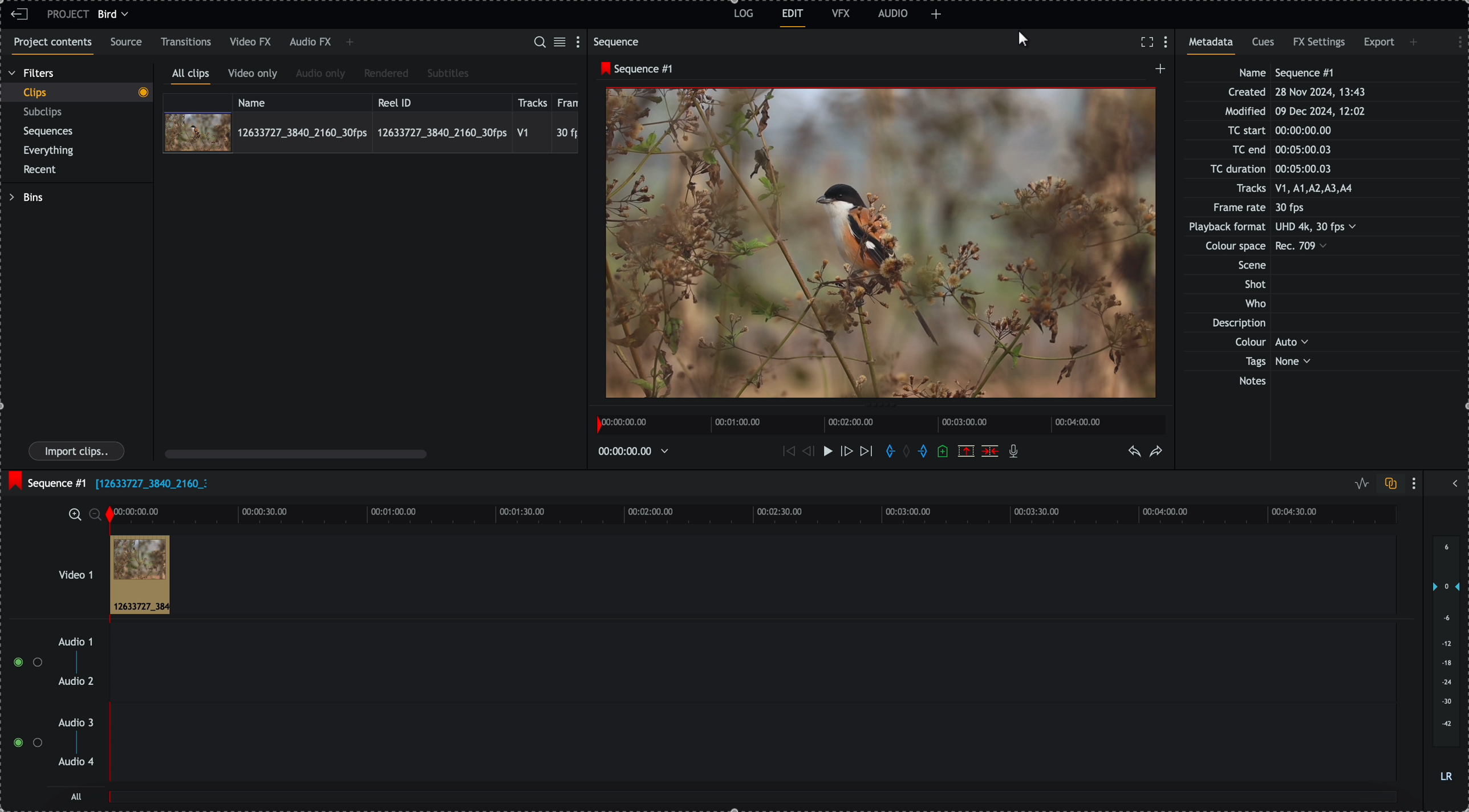  What do you see at coordinates (448, 74) in the screenshot?
I see `subtitles` at bounding box center [448, 74].